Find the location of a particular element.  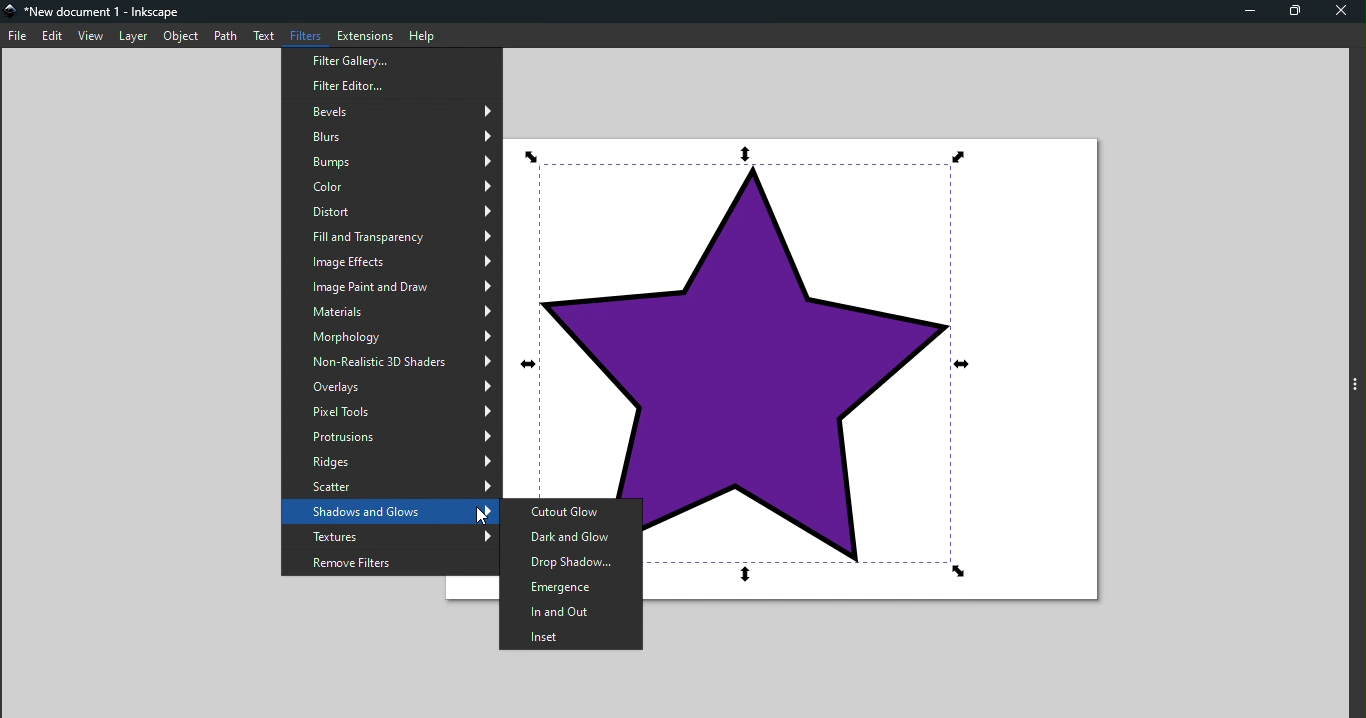

Edit is located at coordinates (54, 37).